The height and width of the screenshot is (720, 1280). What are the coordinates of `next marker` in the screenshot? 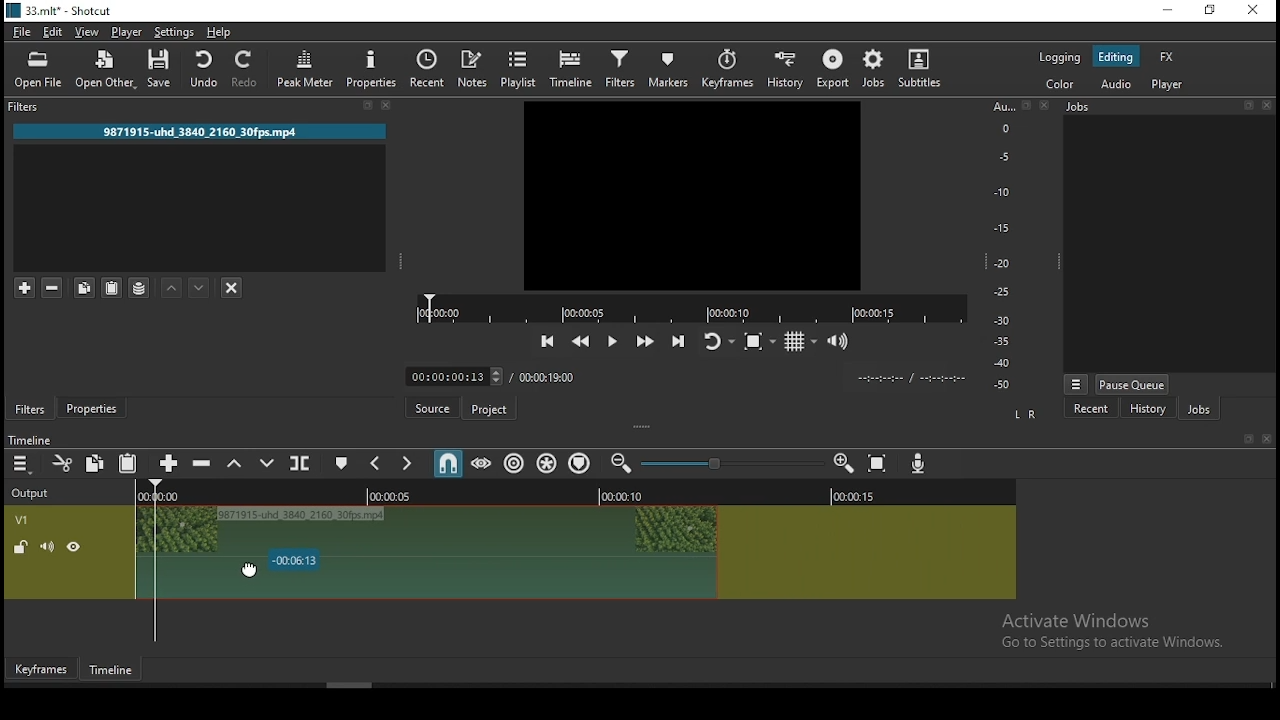 It's located at (408, 465).